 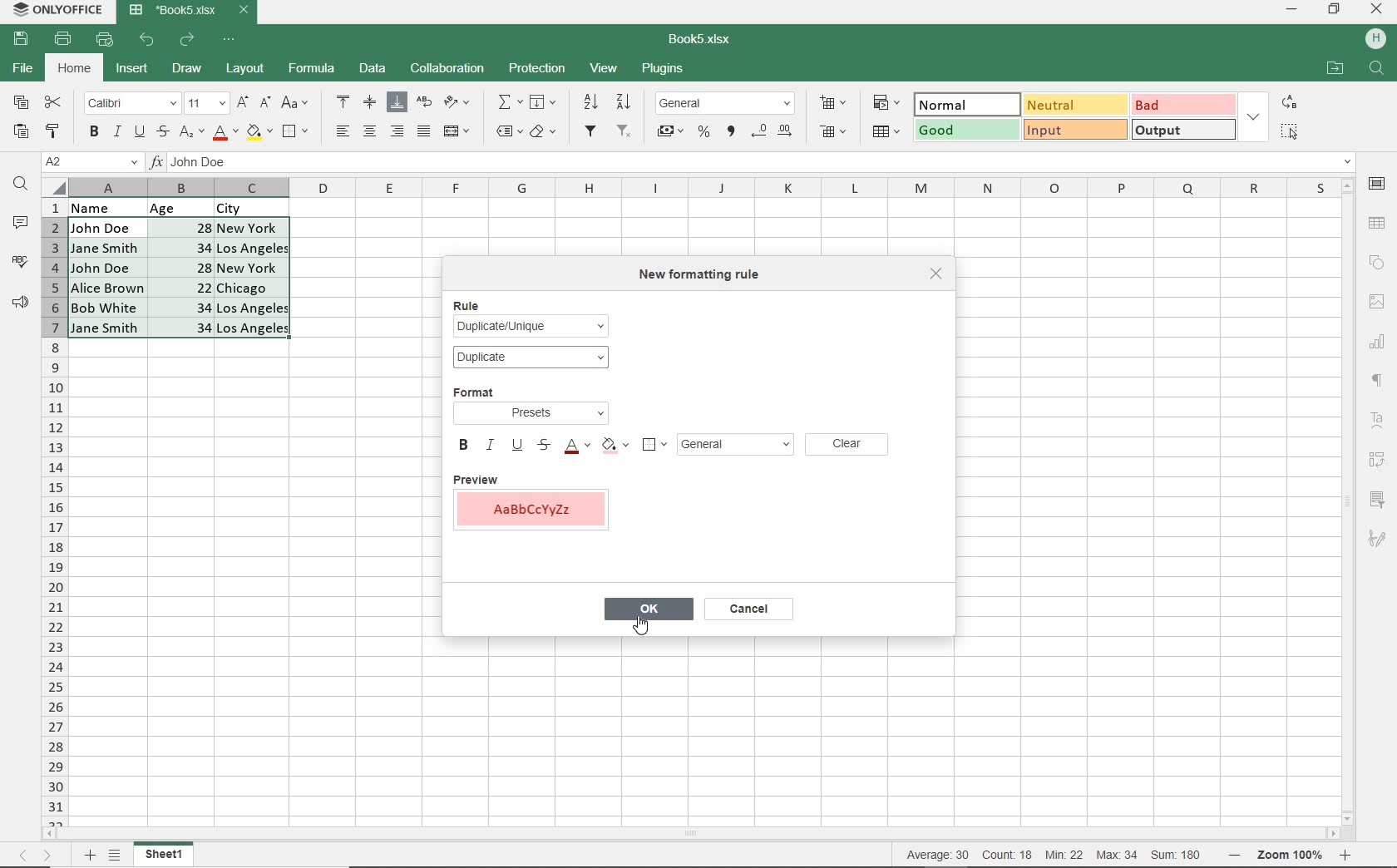 What do you see at coordinates (243, 102) in the screenshot?
I see `INCREMENT FONT SIZE` at bounding box center [243, 102].